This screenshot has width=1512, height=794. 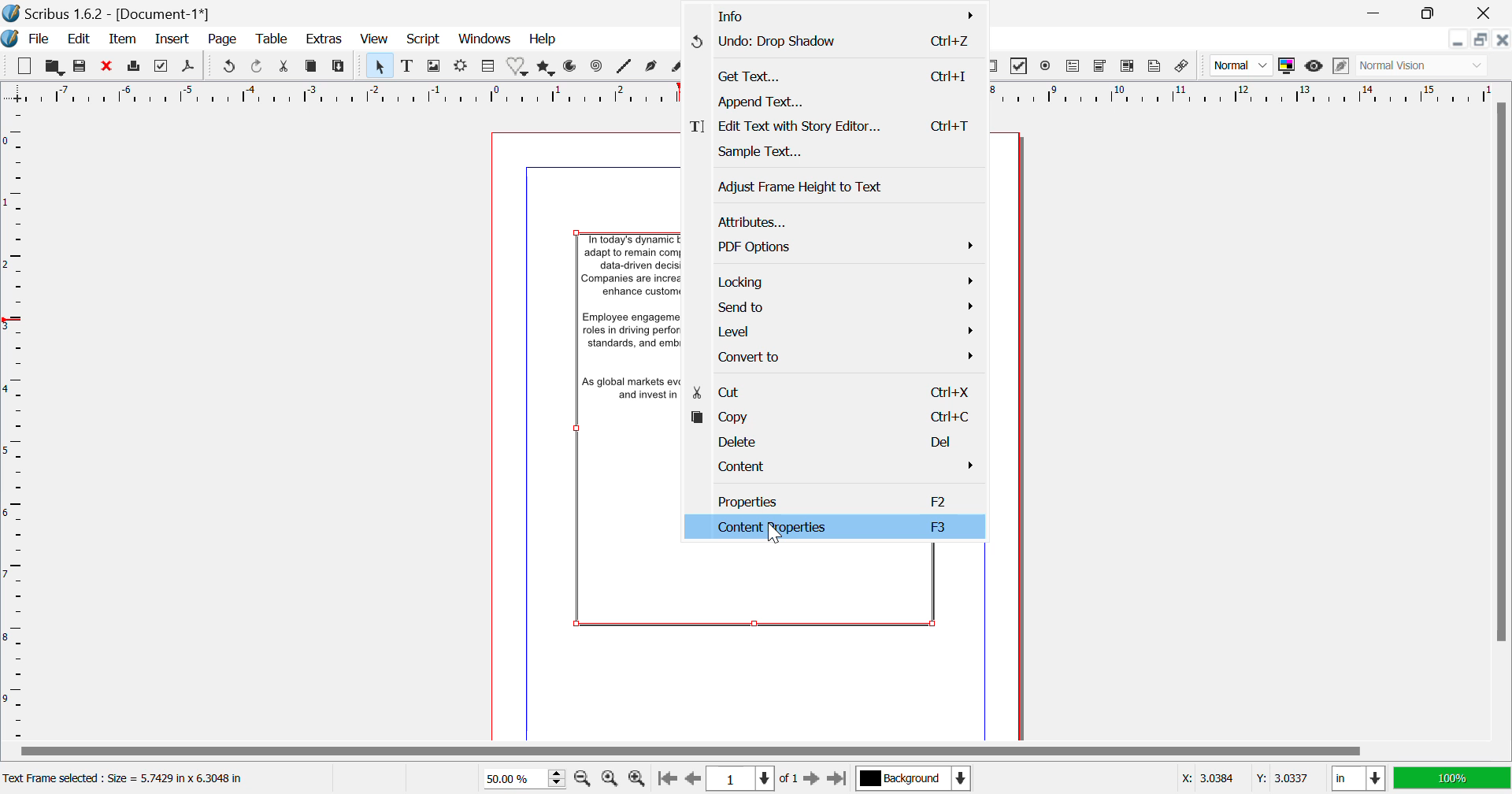 What do you see at coordinates (223, 41) in the screenshot?
I see `Page` at bounding box center [223, 41].